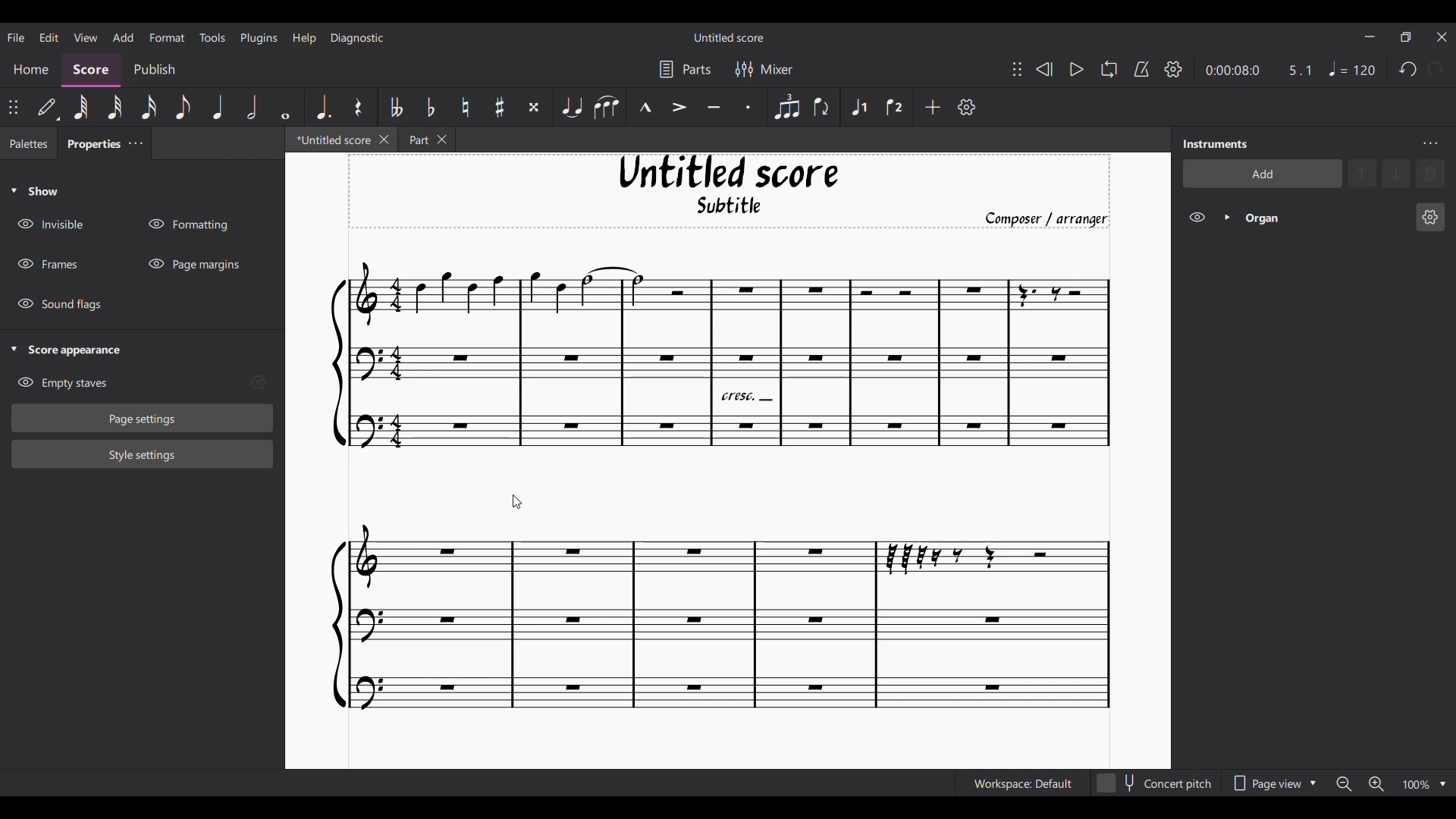 The image size is (1456, 819). I want to click on Diagnostic menu, so click(358, 37).